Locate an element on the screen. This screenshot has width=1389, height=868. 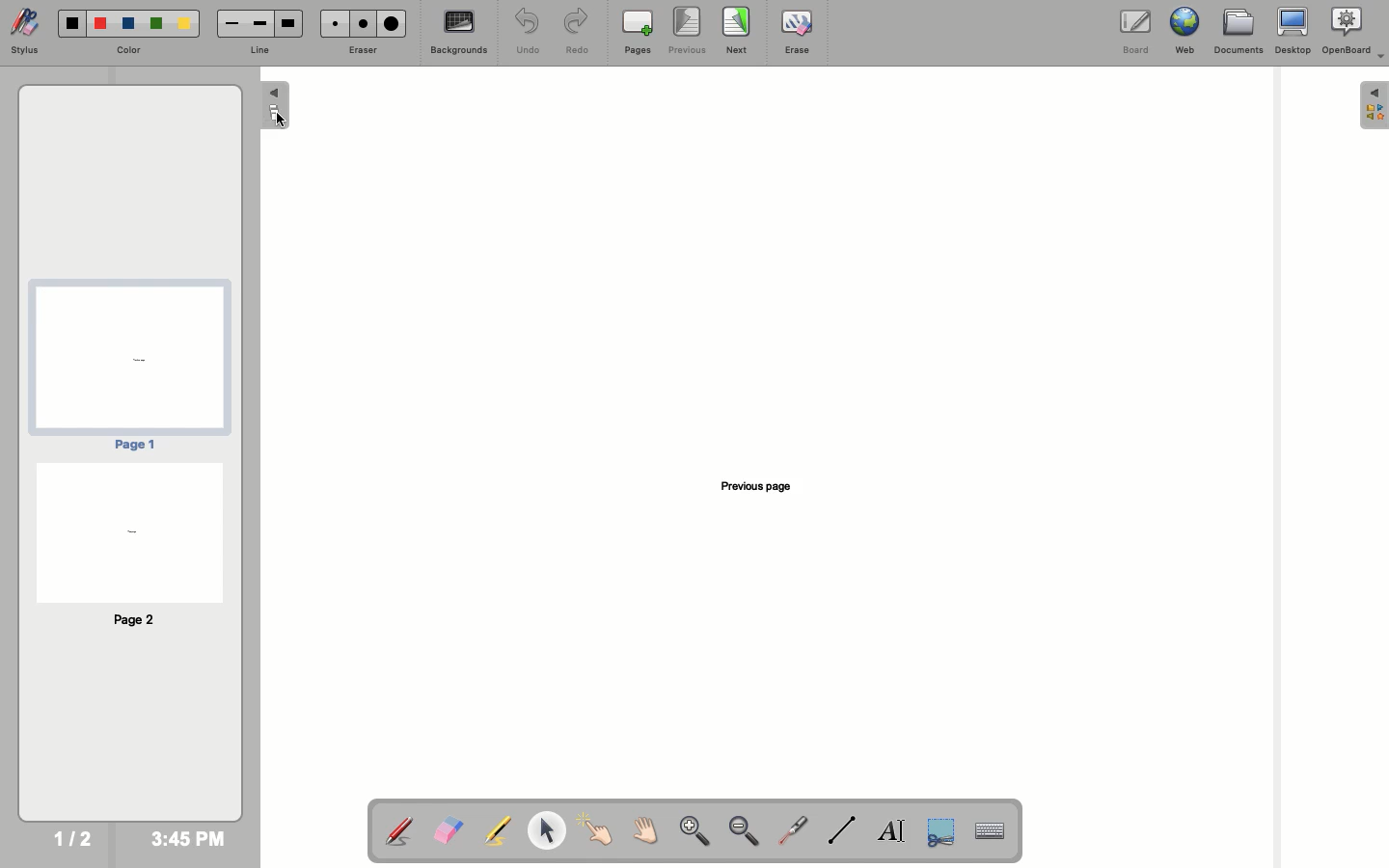
Annotate the document is located at coordinates (398, 832).